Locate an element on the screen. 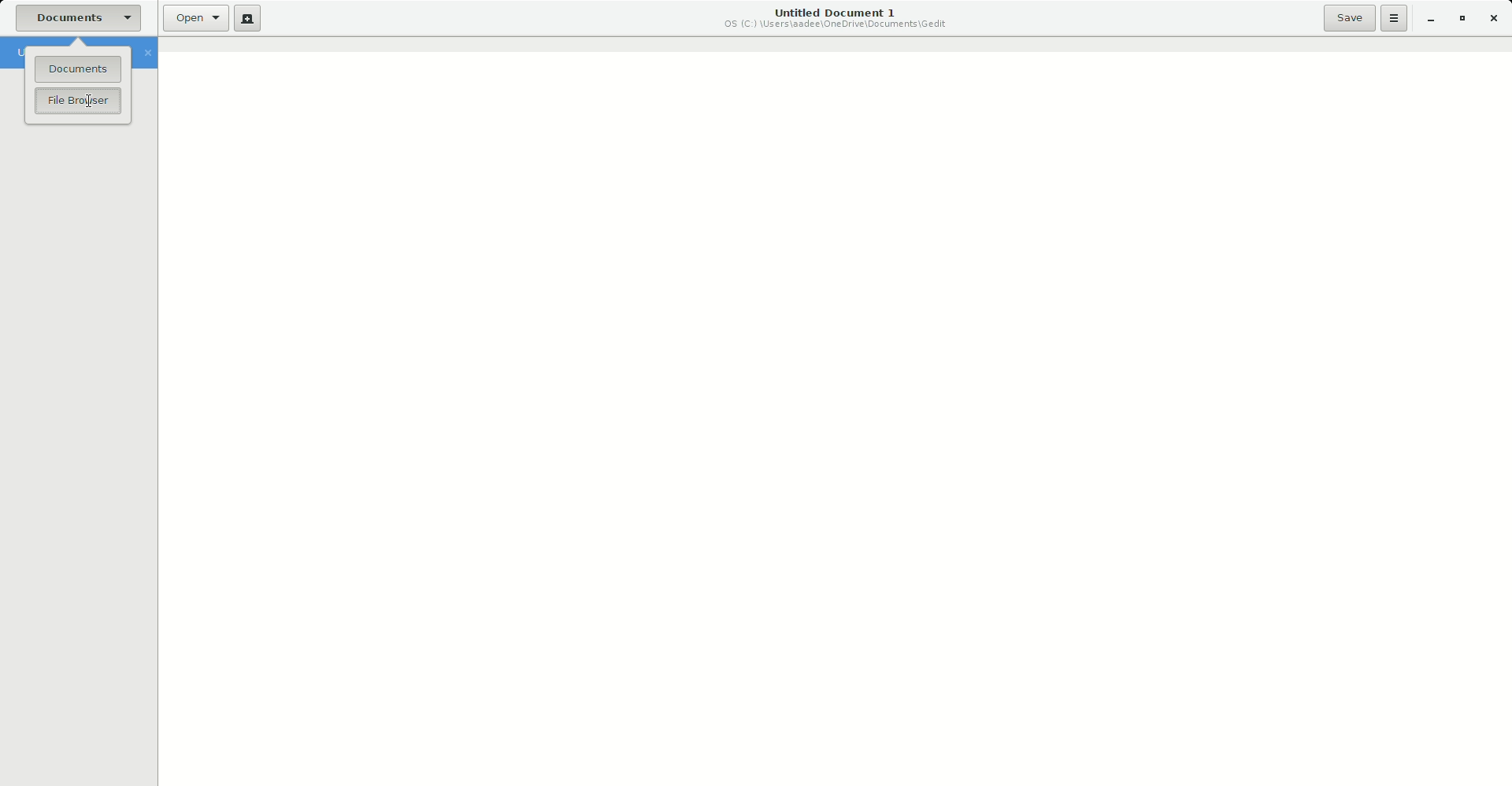  Documents is located at coordinates (83, 17).